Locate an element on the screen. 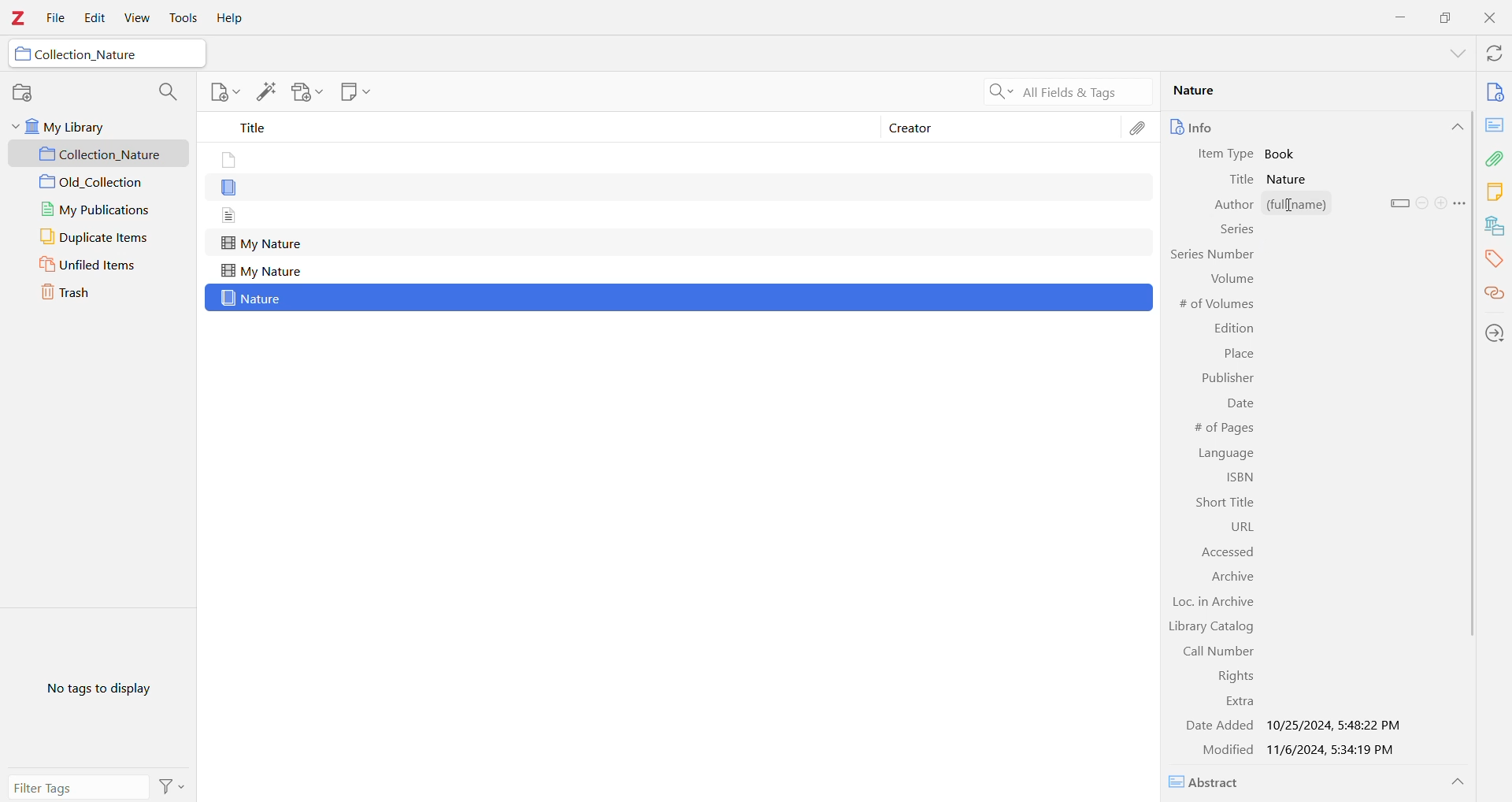 The width and height of the screenshot is (1512, 802). Collapse Section is located at coordinates (1458, 782).